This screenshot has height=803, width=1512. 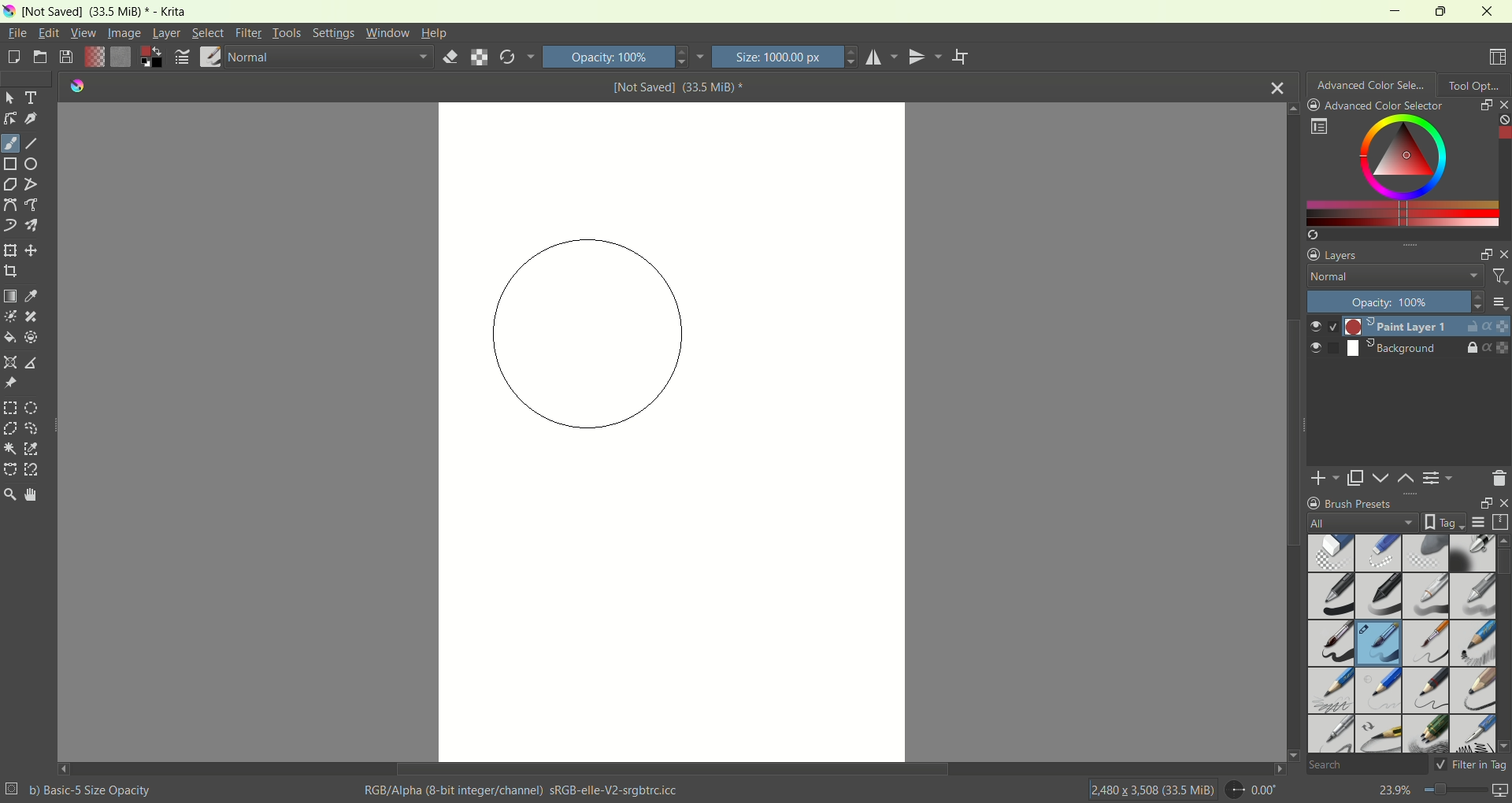 I want to click on pencil 1, so click(x=1472, y=642).